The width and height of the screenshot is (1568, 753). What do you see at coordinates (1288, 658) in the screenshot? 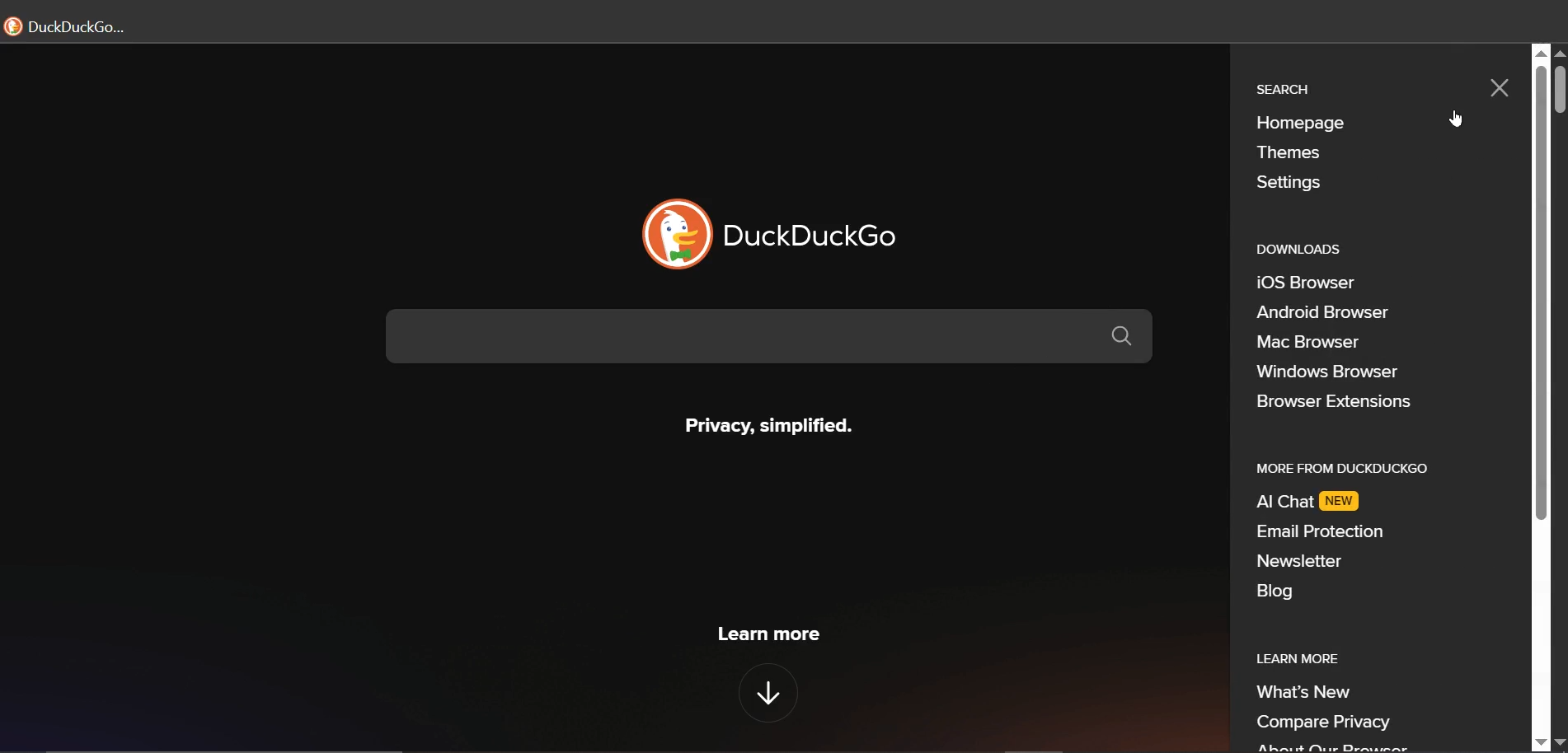
I see `LEARN MORE` at bounding box center [1288, 658].